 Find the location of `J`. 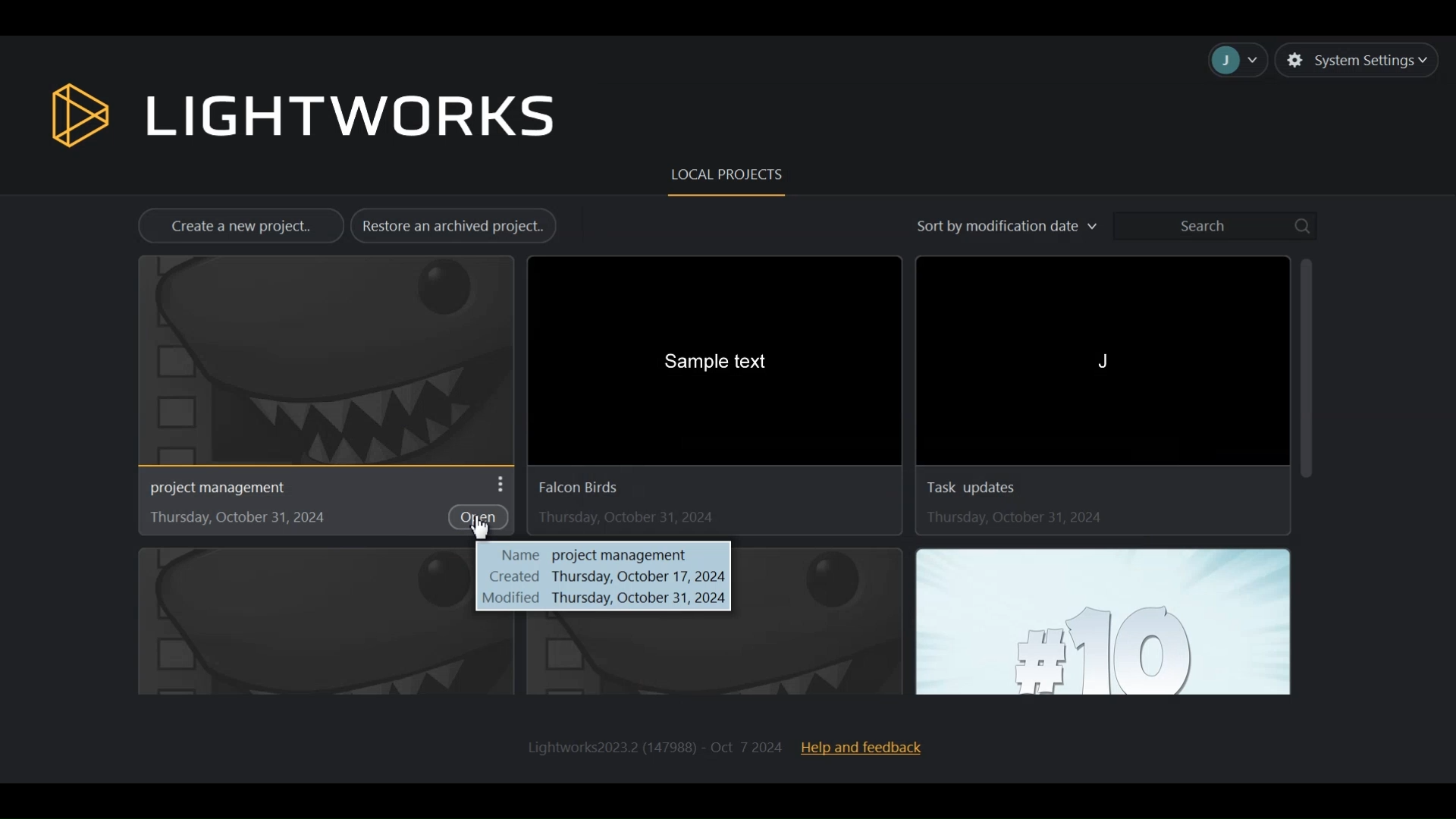

J is located at coordinates (1100, 365).